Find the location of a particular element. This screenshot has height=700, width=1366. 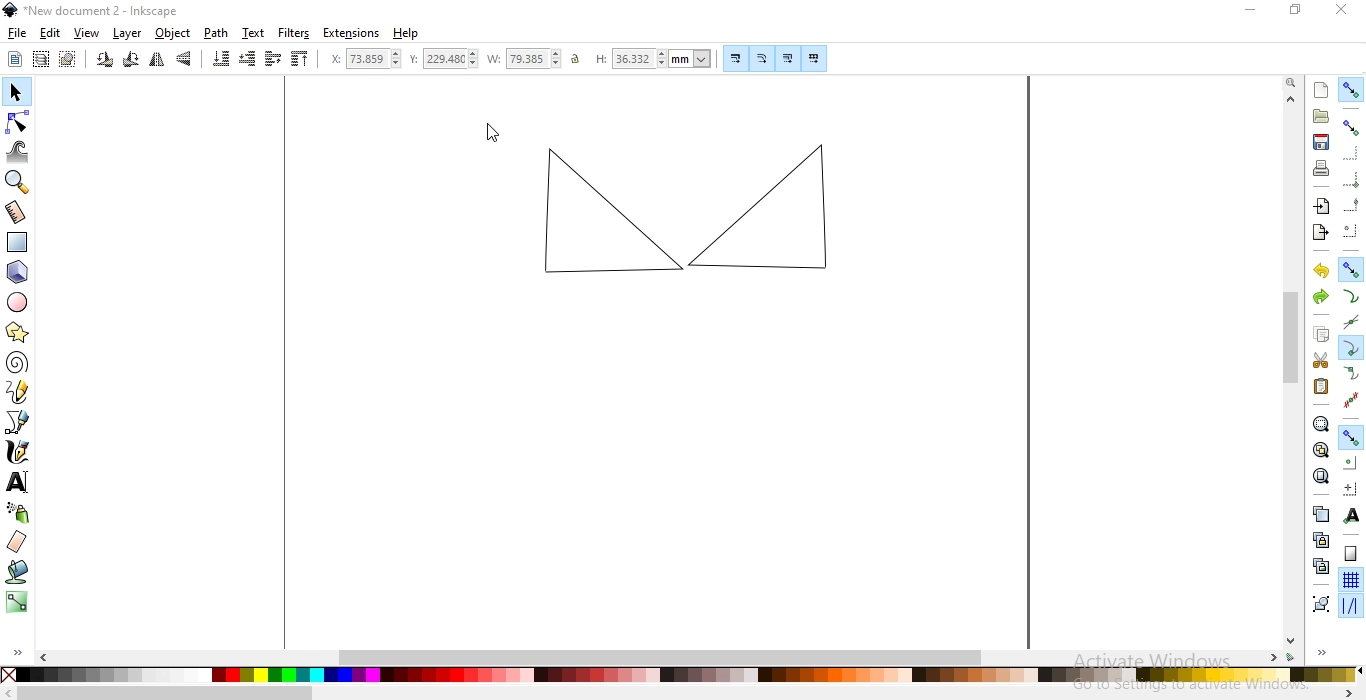

scrollbar is located at coordinates (1289, 372).